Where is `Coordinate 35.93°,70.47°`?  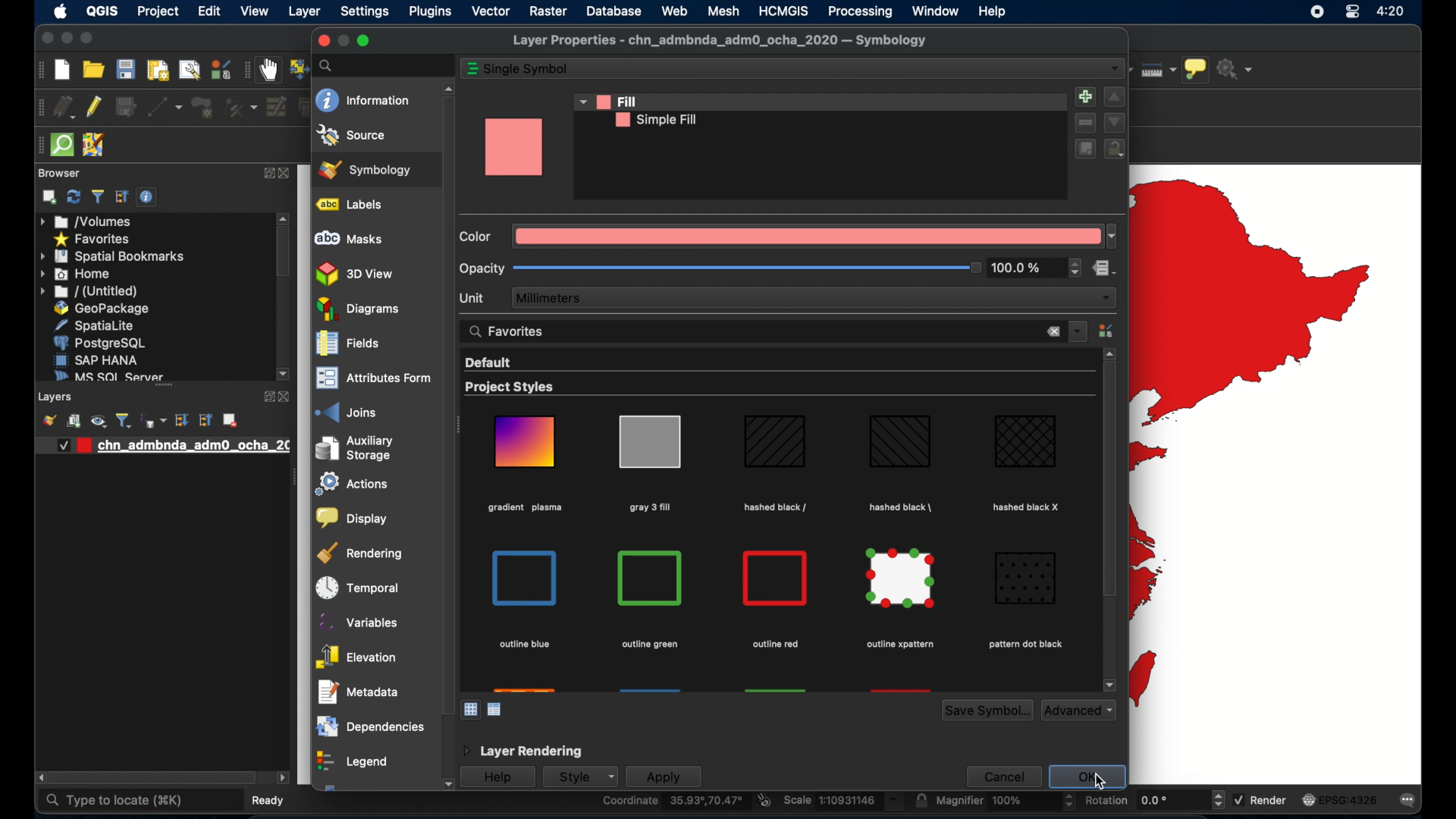
Coordinate 35.93°,70.47° is located at coordinates (673, 802).